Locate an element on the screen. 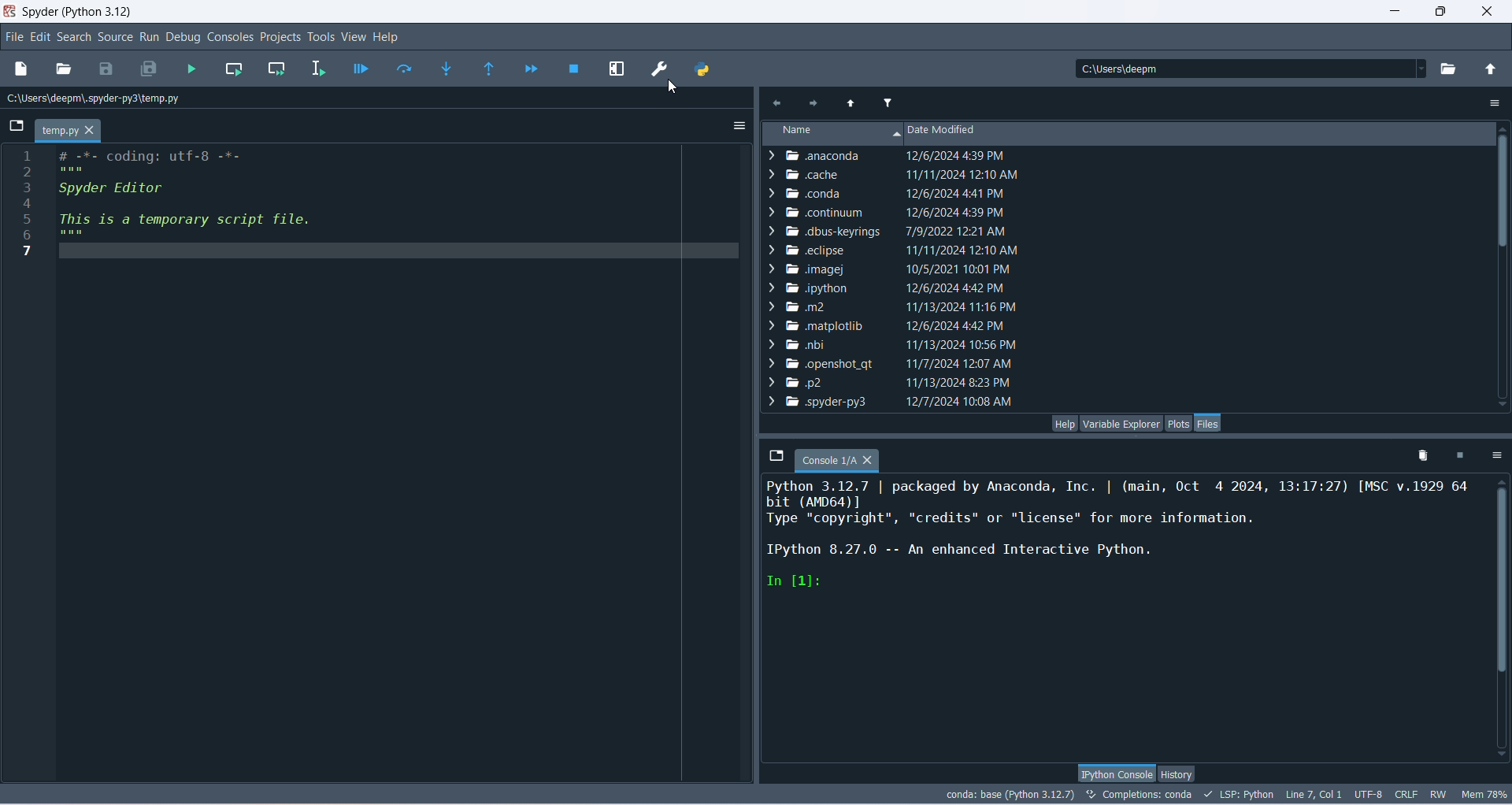 This screenshot has width=1512, height=805. history is located at coordinates (1176, 775).